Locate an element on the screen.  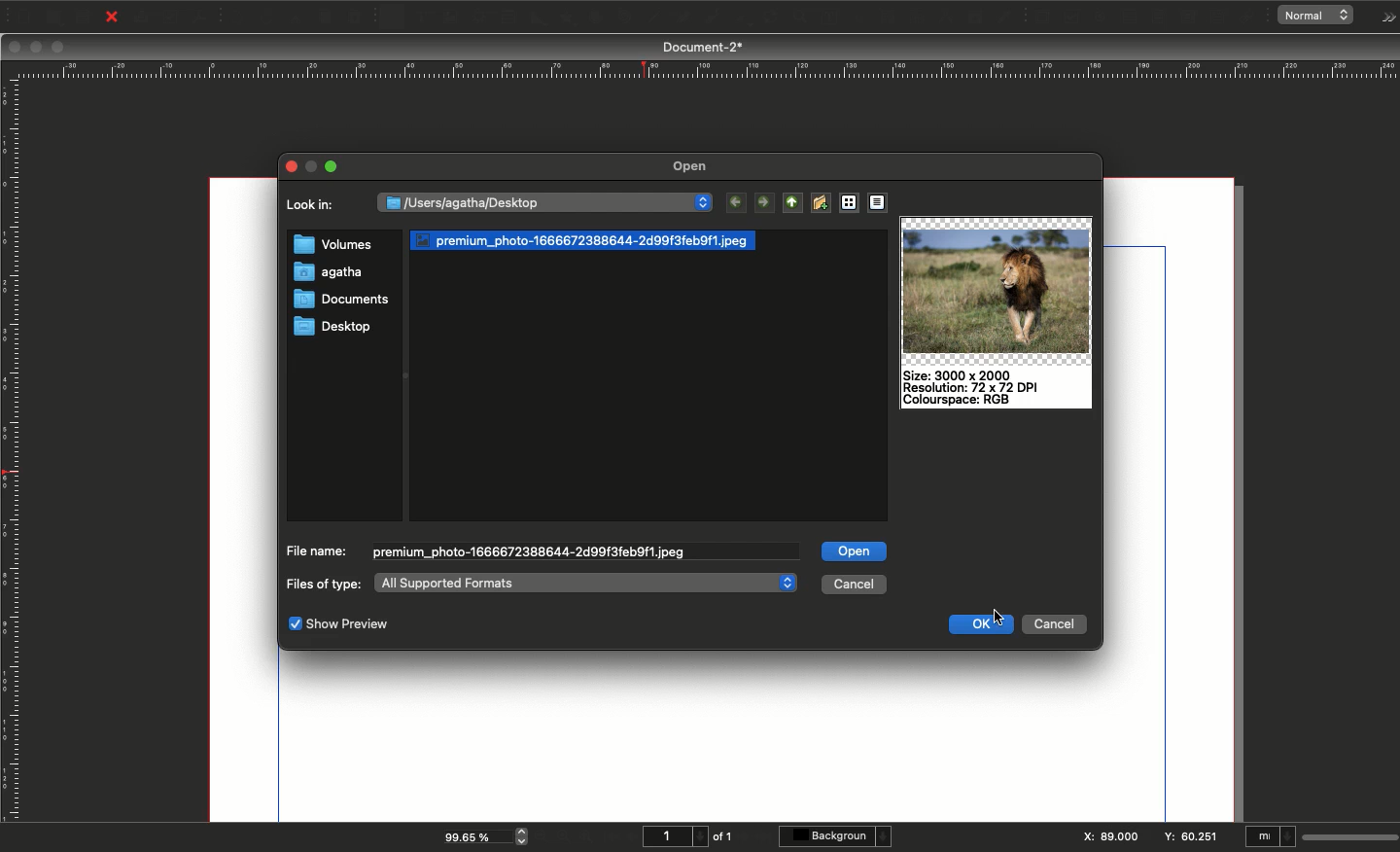
PDF push button is located at coordinates (1040, 17).